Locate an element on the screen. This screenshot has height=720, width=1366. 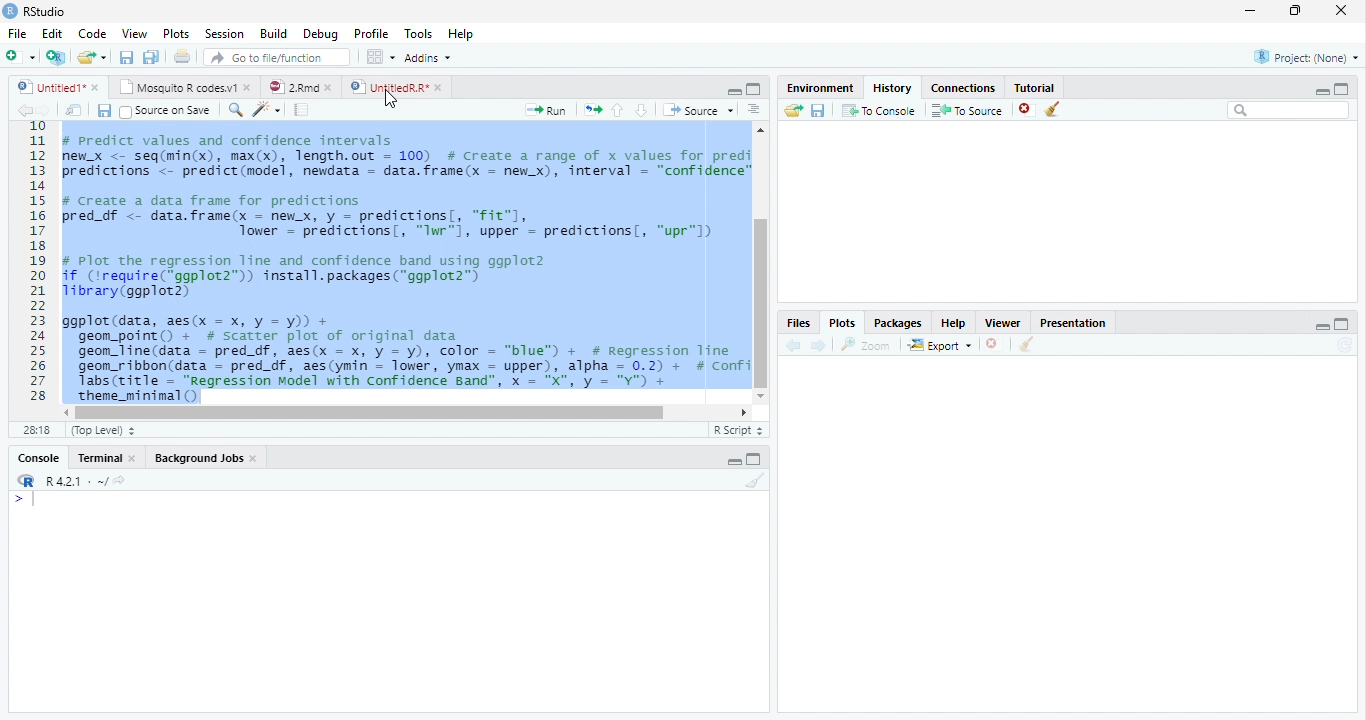
View is located at coordinates (134, 34).